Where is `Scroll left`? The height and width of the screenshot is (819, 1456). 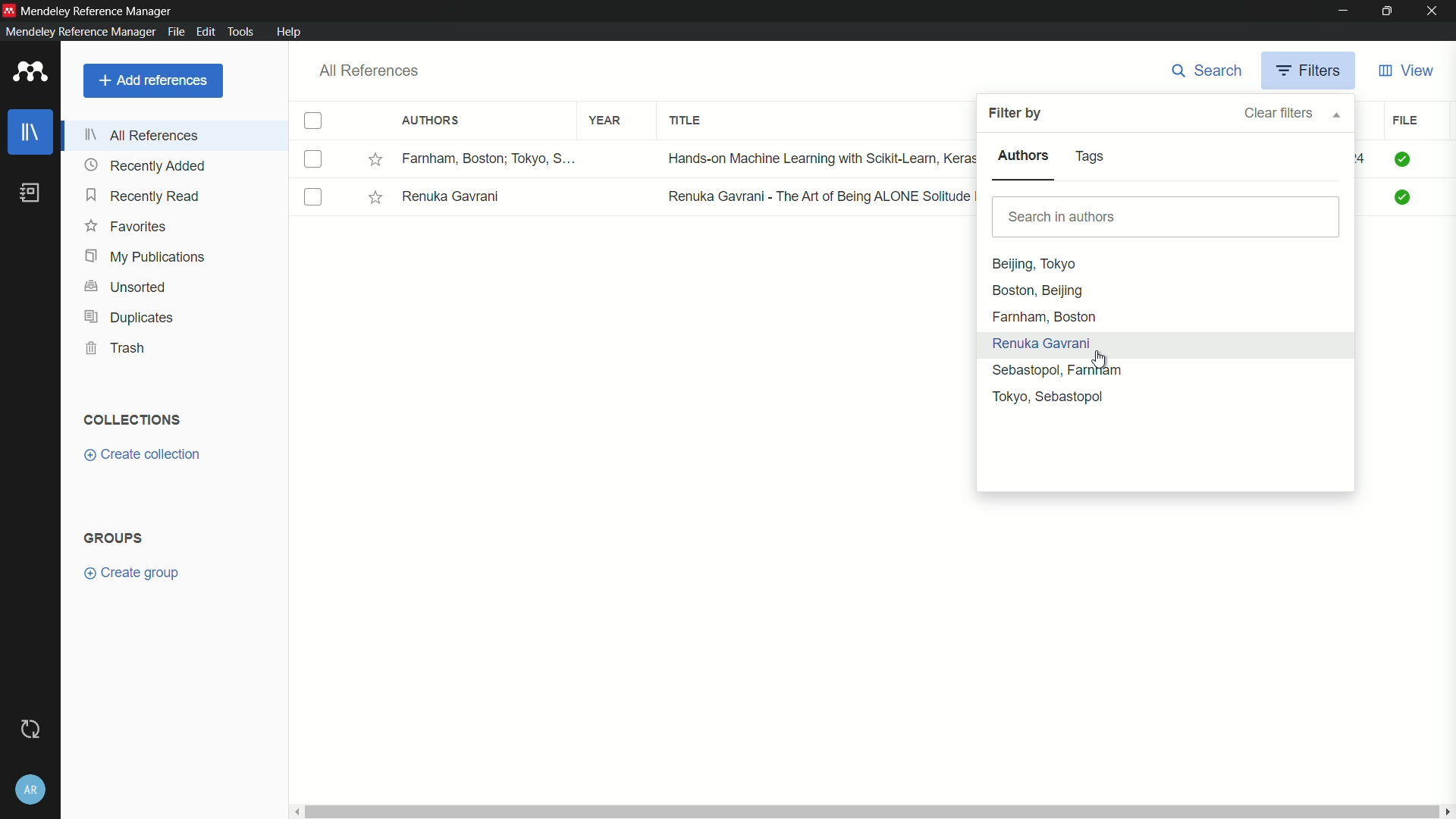 Scroll left is located at coordinates (296, 811).